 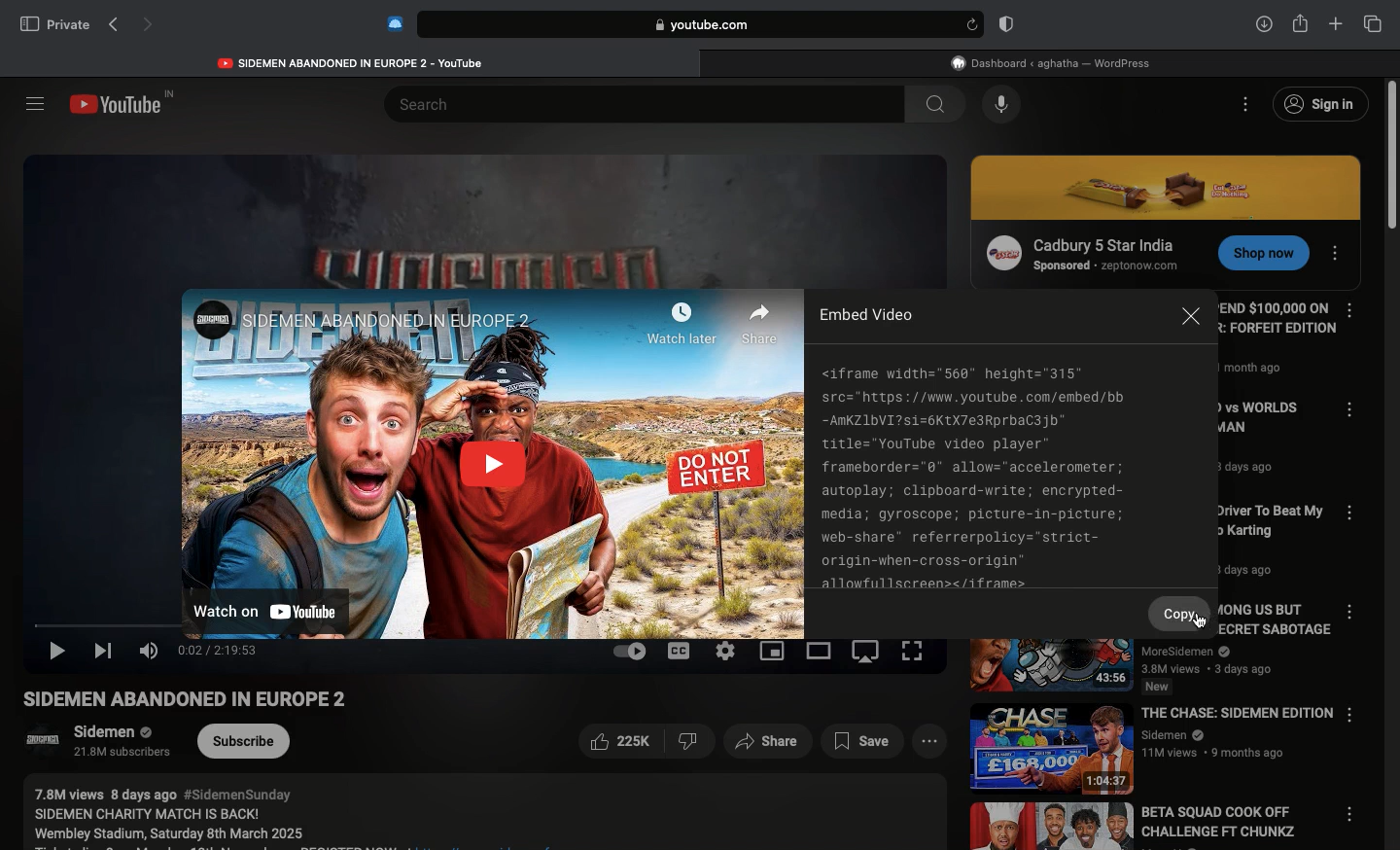 What do you see at coordinates (148, 651) in the screenshot?
I see `Volume` at bounding box center [148, 651].